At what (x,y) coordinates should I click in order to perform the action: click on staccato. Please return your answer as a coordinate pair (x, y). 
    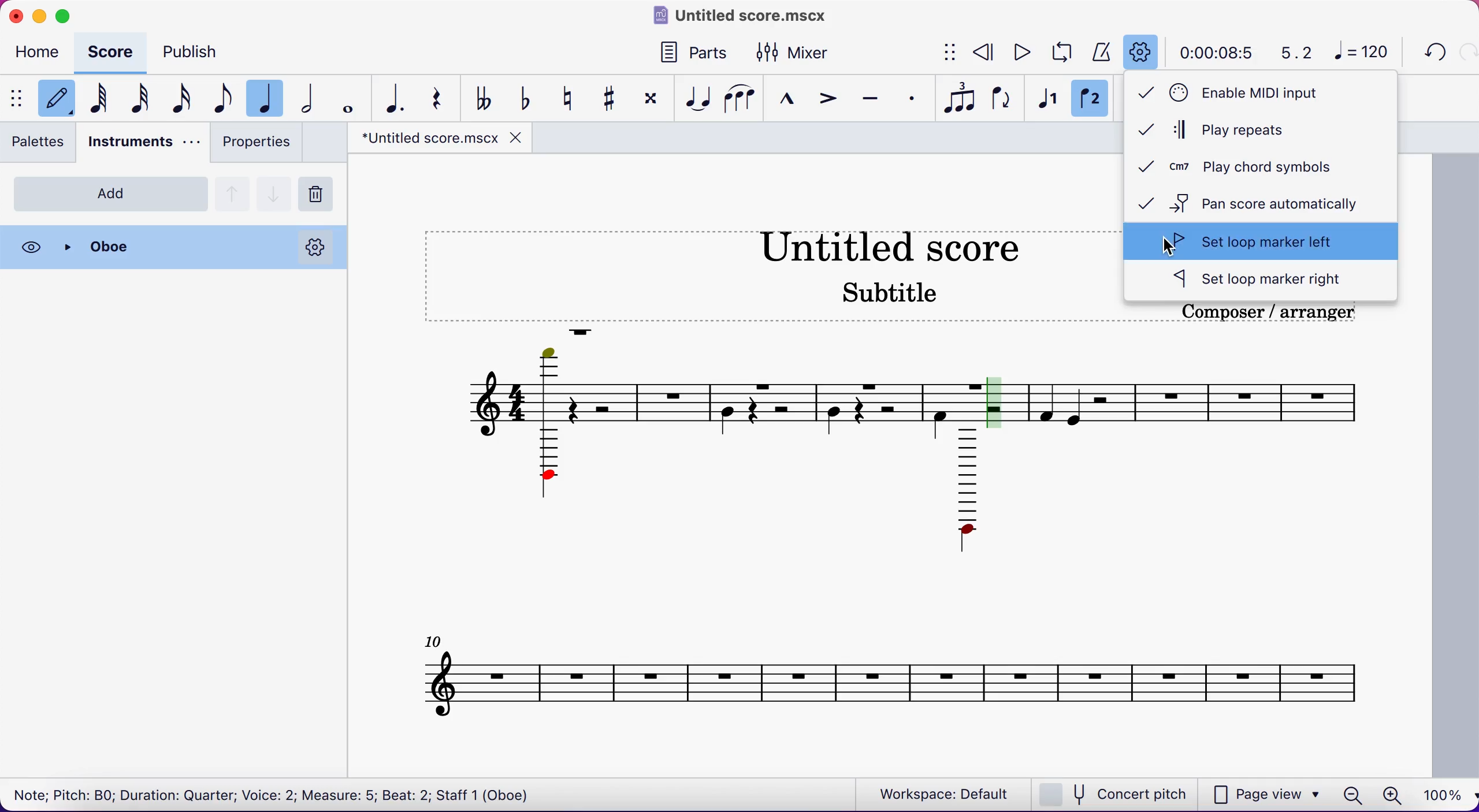
    Looking at the image, I should click on (915, 99).